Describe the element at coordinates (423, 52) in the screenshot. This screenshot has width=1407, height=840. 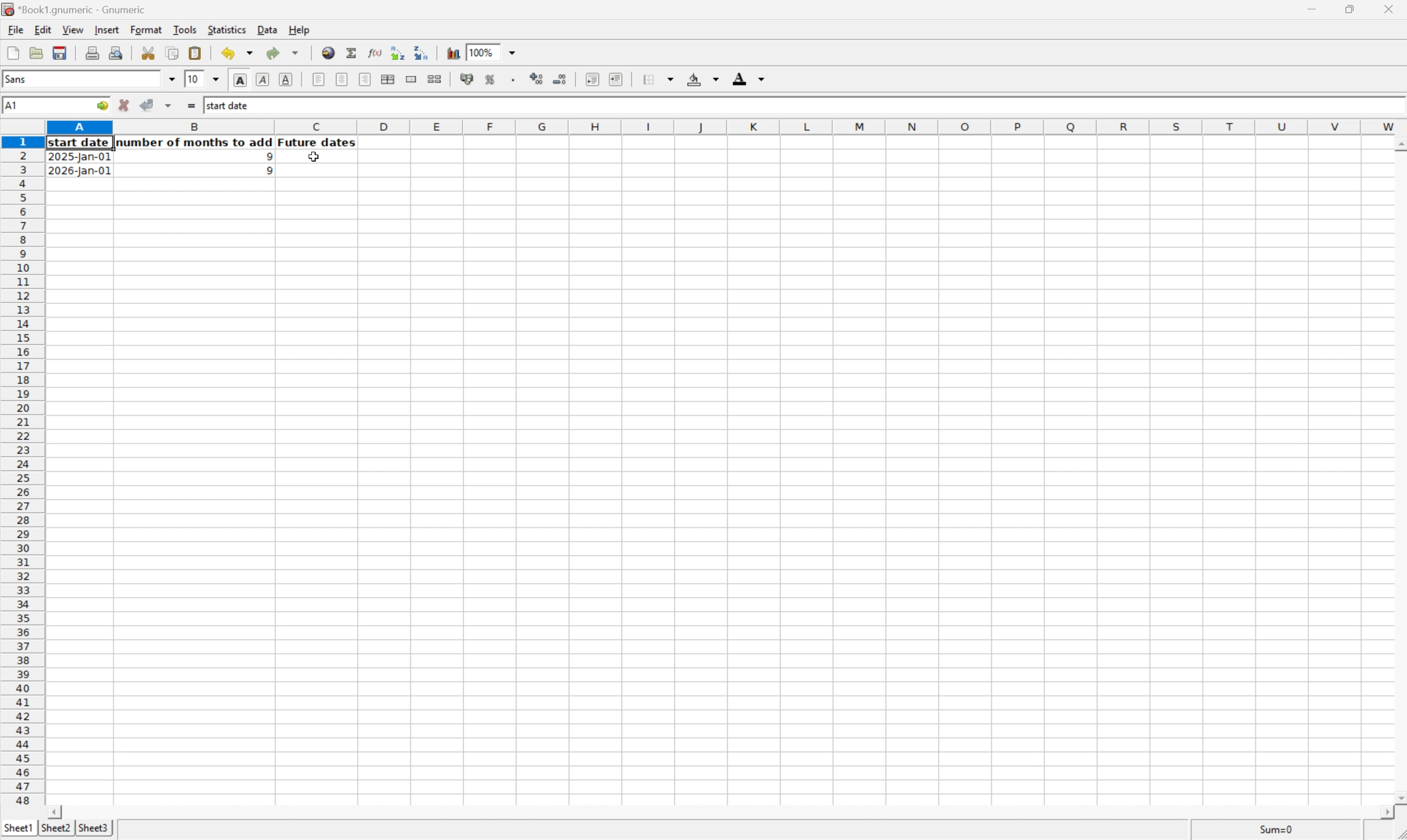
I see `Sort the selected region in descending order based on the first column selected` at that location.